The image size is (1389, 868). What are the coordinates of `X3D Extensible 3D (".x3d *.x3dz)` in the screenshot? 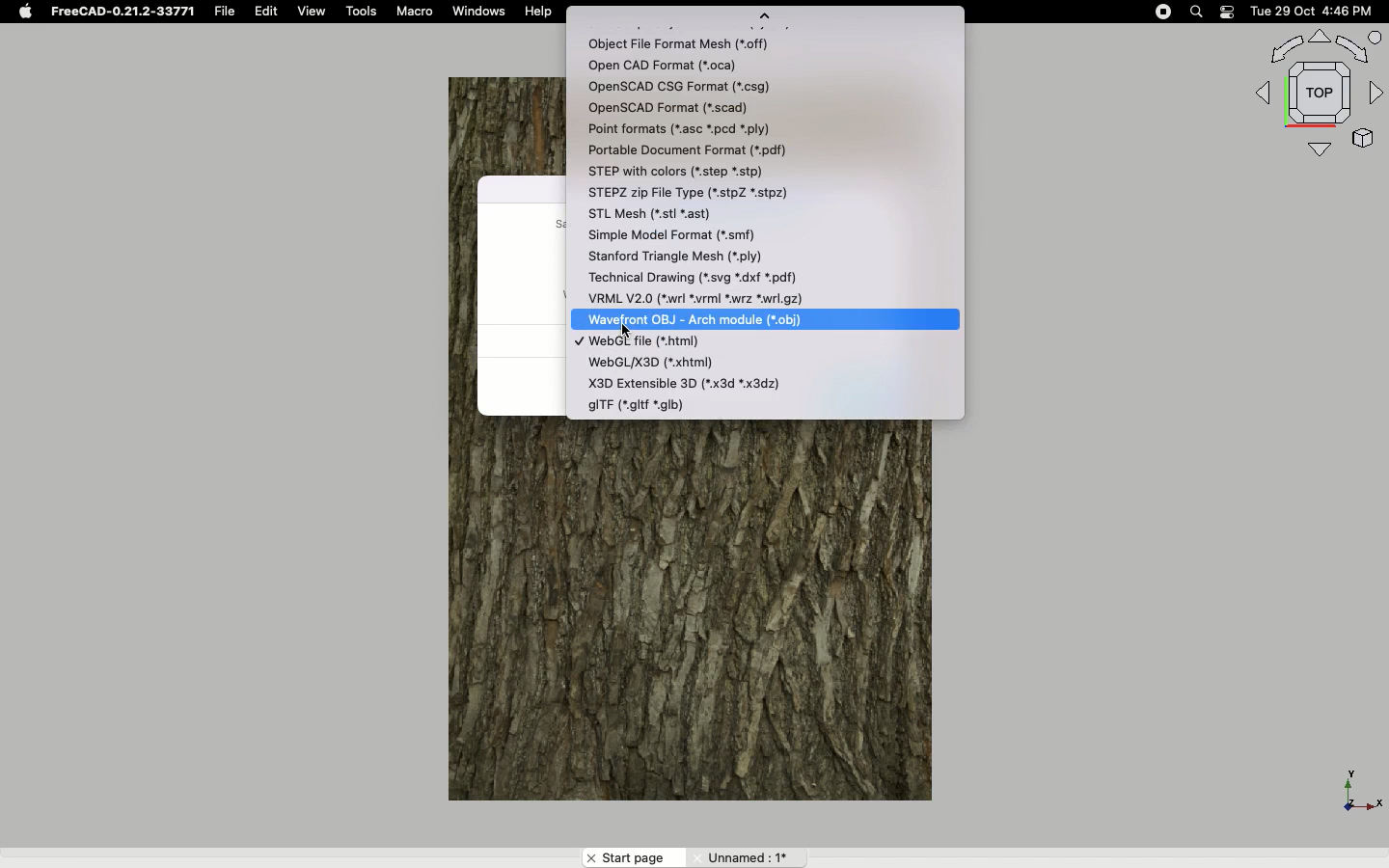 It's located at (687, 382).